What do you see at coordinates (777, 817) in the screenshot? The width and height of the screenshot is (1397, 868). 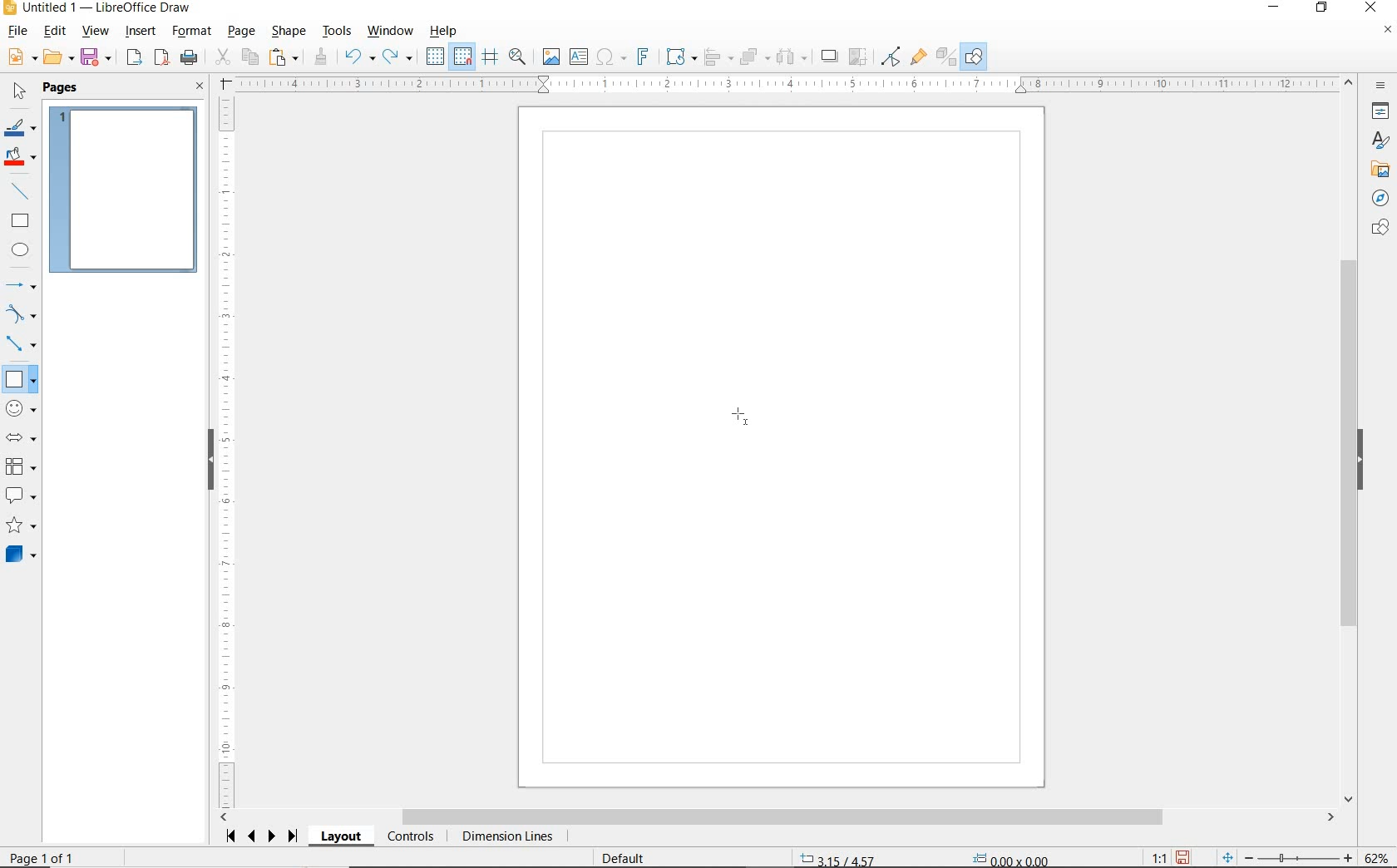 I see `SCROLLBAR` at bounding box center [777, 817].